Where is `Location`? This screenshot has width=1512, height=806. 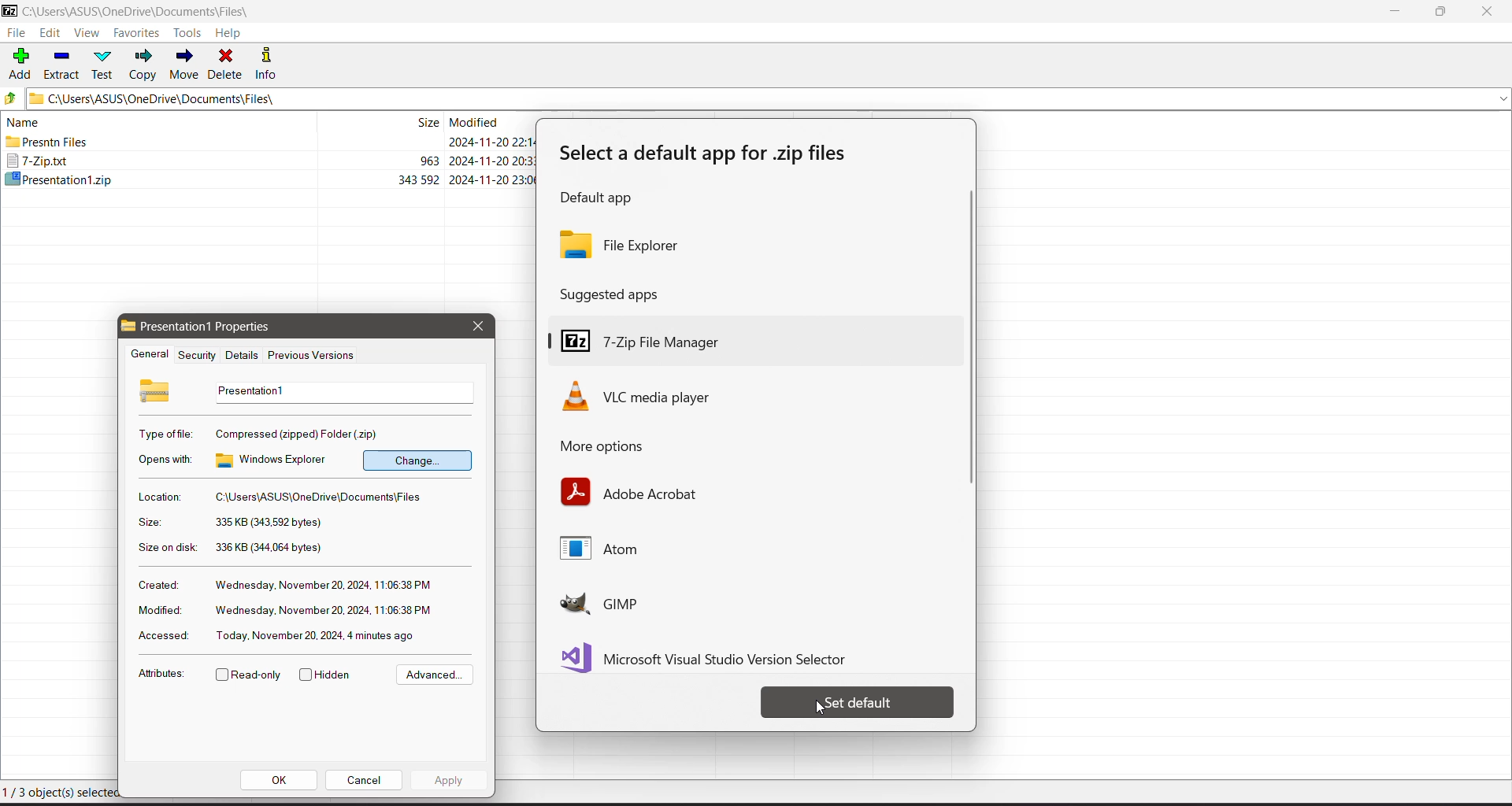 Location is located at coordinates (158, 497).